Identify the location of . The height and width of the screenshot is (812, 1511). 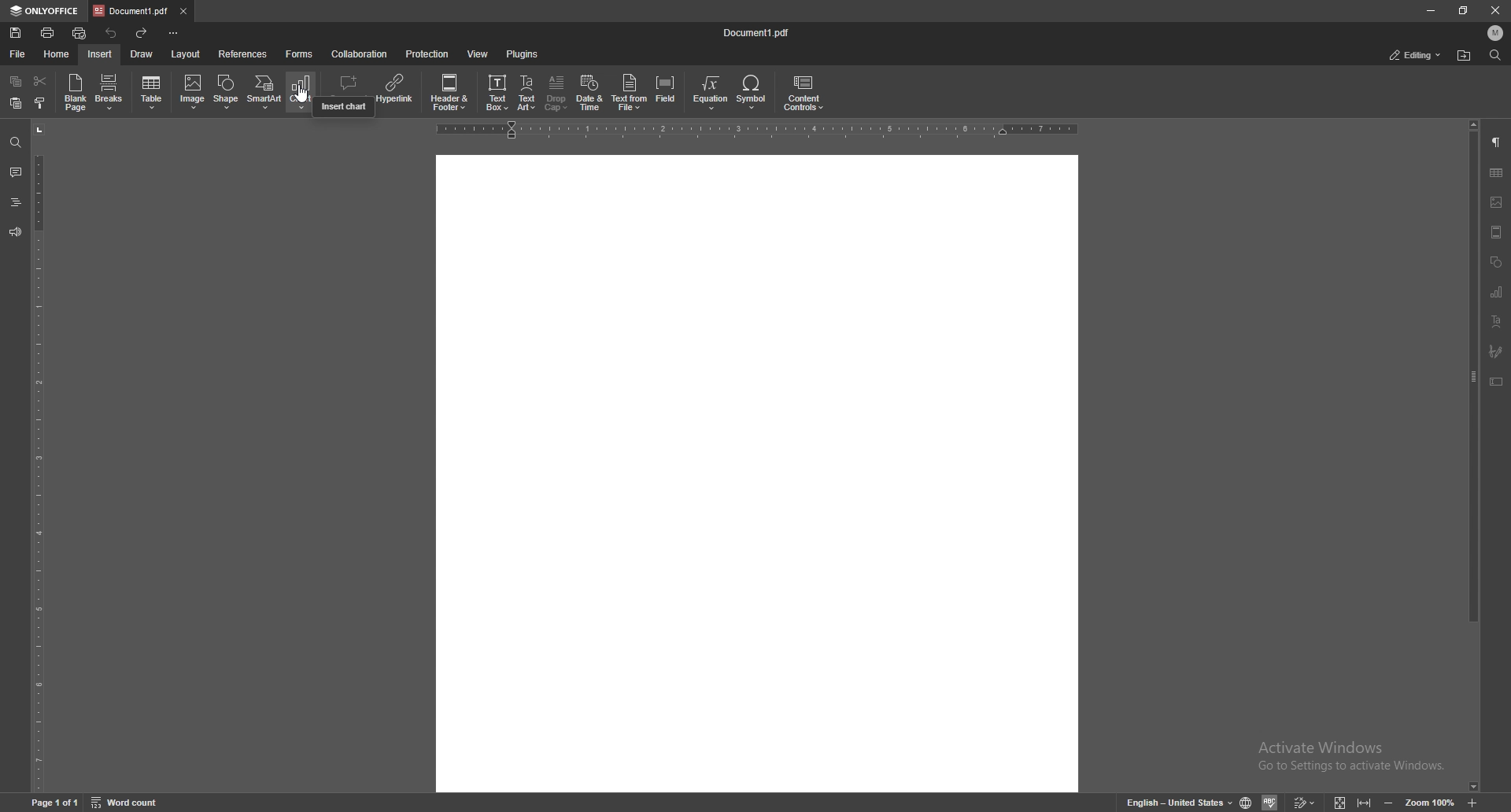
(756, 474).